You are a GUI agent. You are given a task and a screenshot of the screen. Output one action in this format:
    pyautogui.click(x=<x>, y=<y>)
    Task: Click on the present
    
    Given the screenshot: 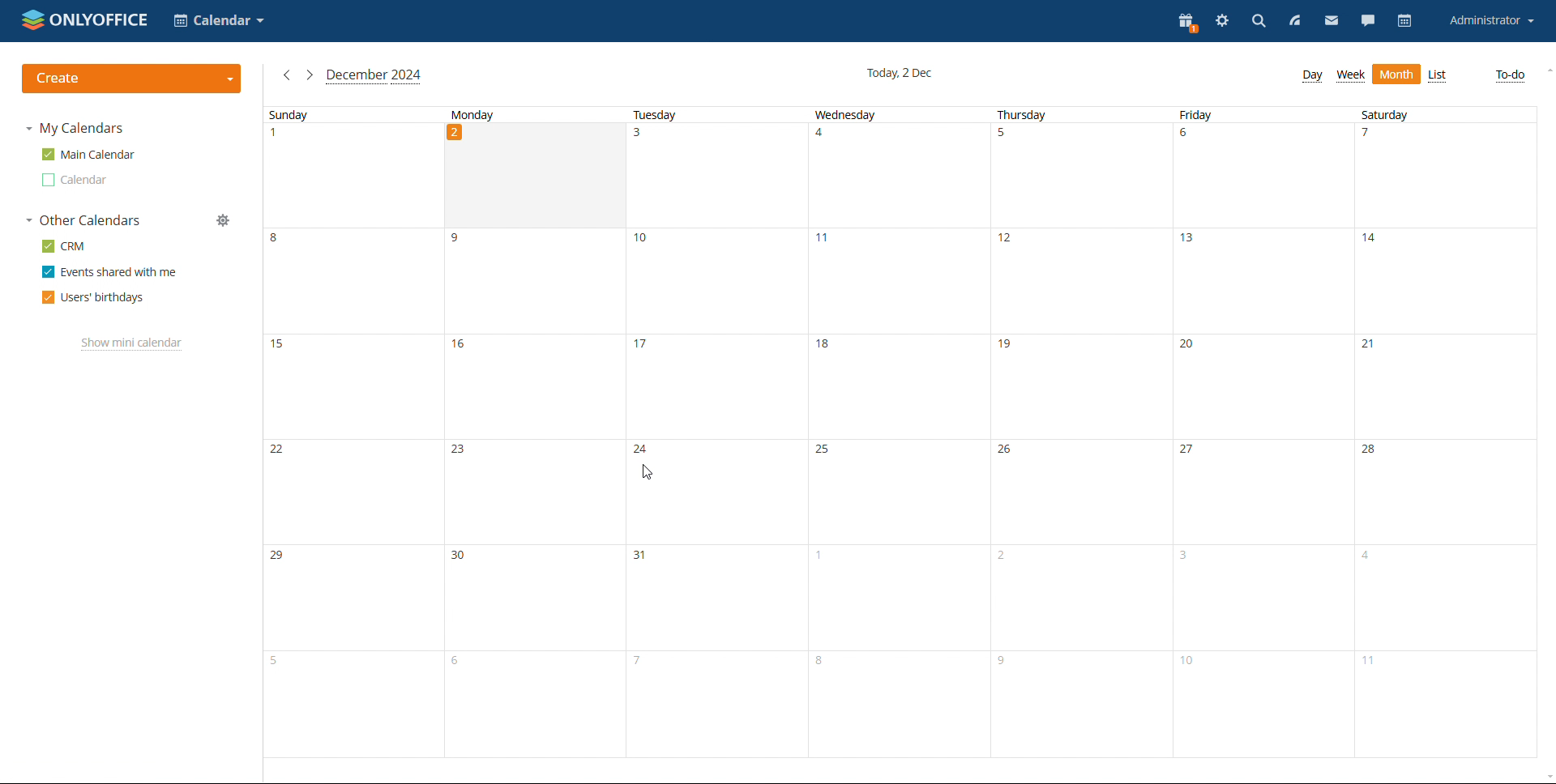 What is the action you would take?
    pyautogui.click(x=1186, y=21)
    